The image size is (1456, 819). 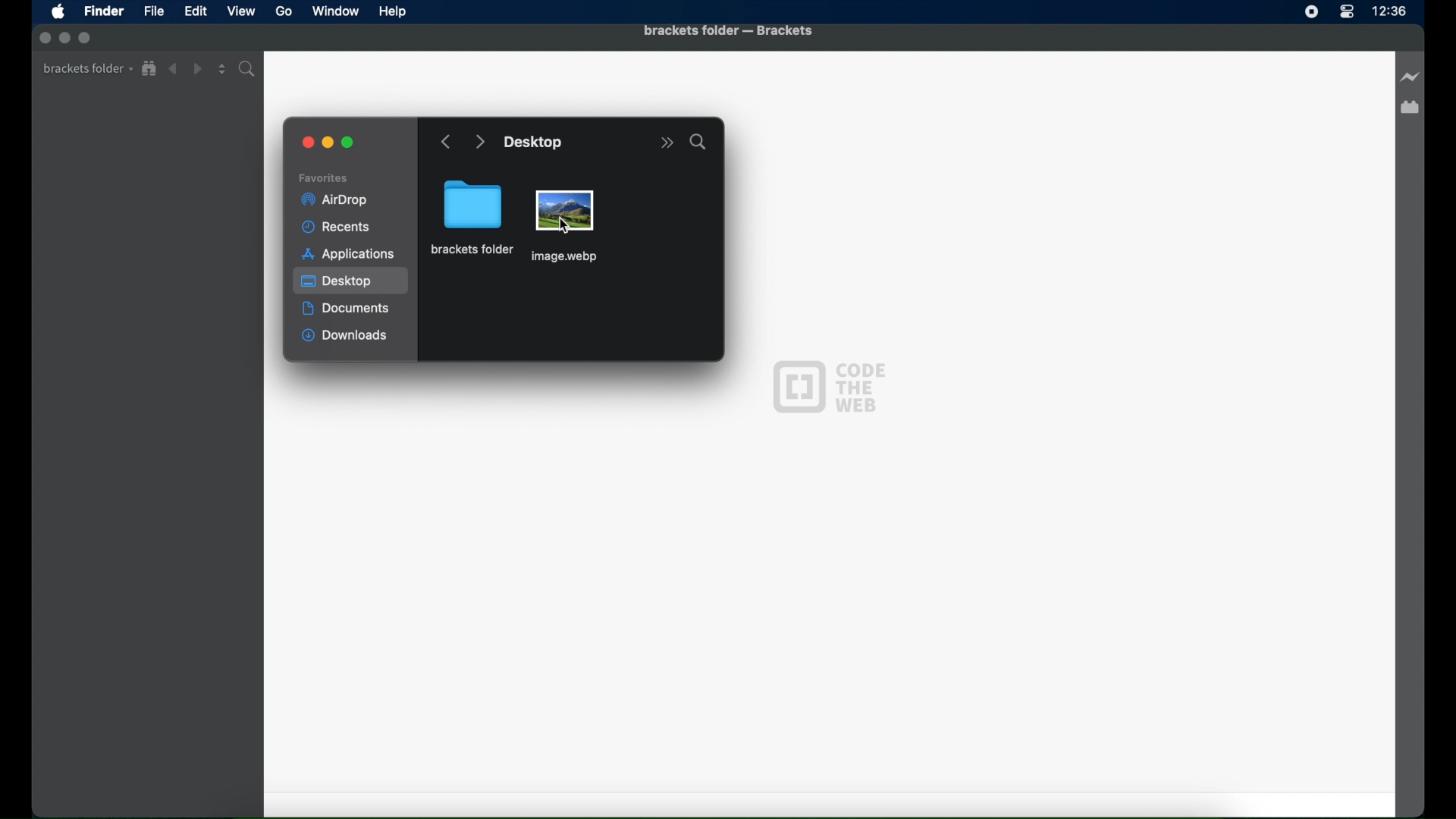 What do you see at coordinates (1410, 77) in the screenshot?
I see `live preview` at bounding box center [1410, 77].